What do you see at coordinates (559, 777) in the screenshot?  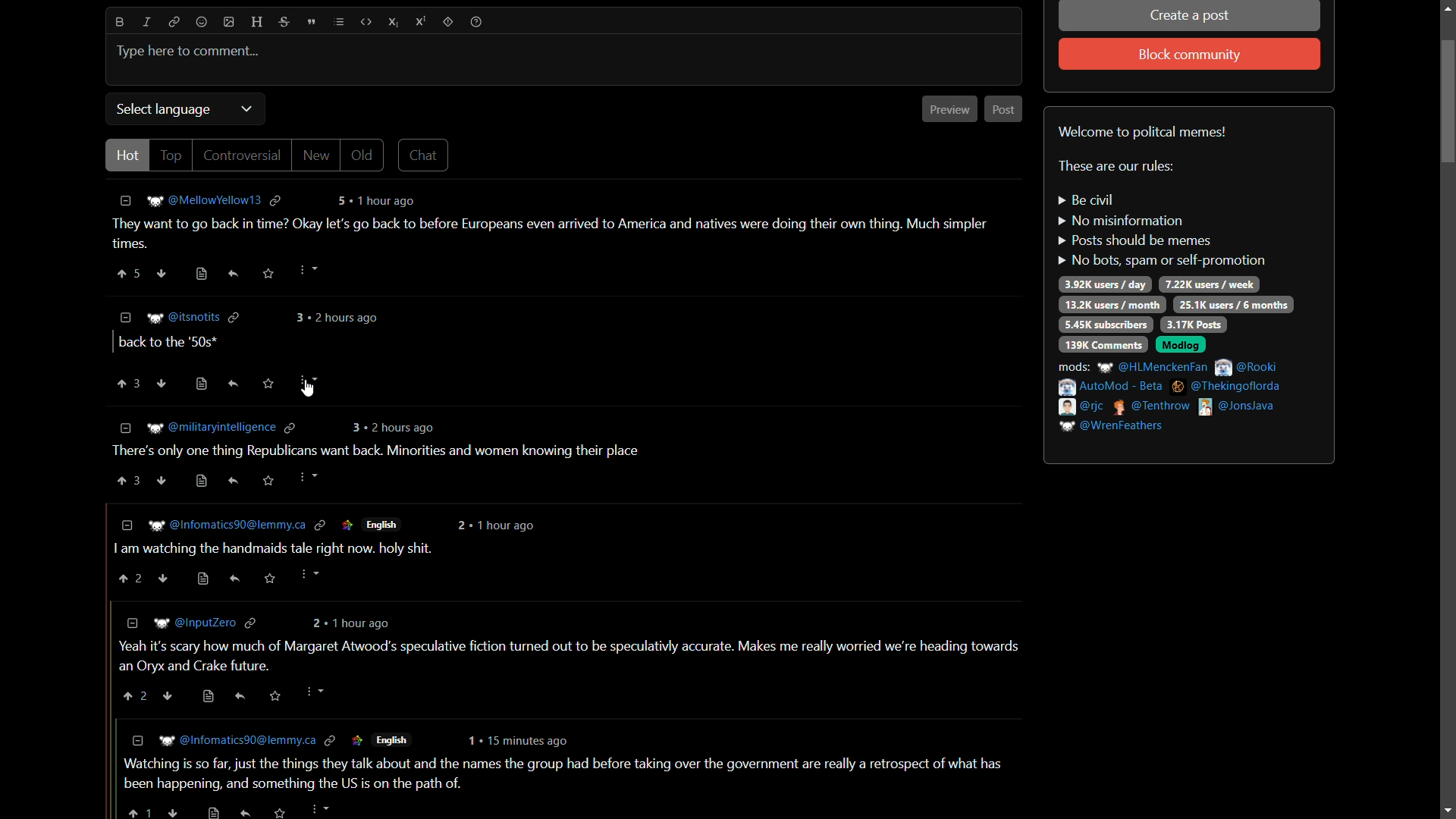 I see `comment-6` at bounding box center [559, 777].